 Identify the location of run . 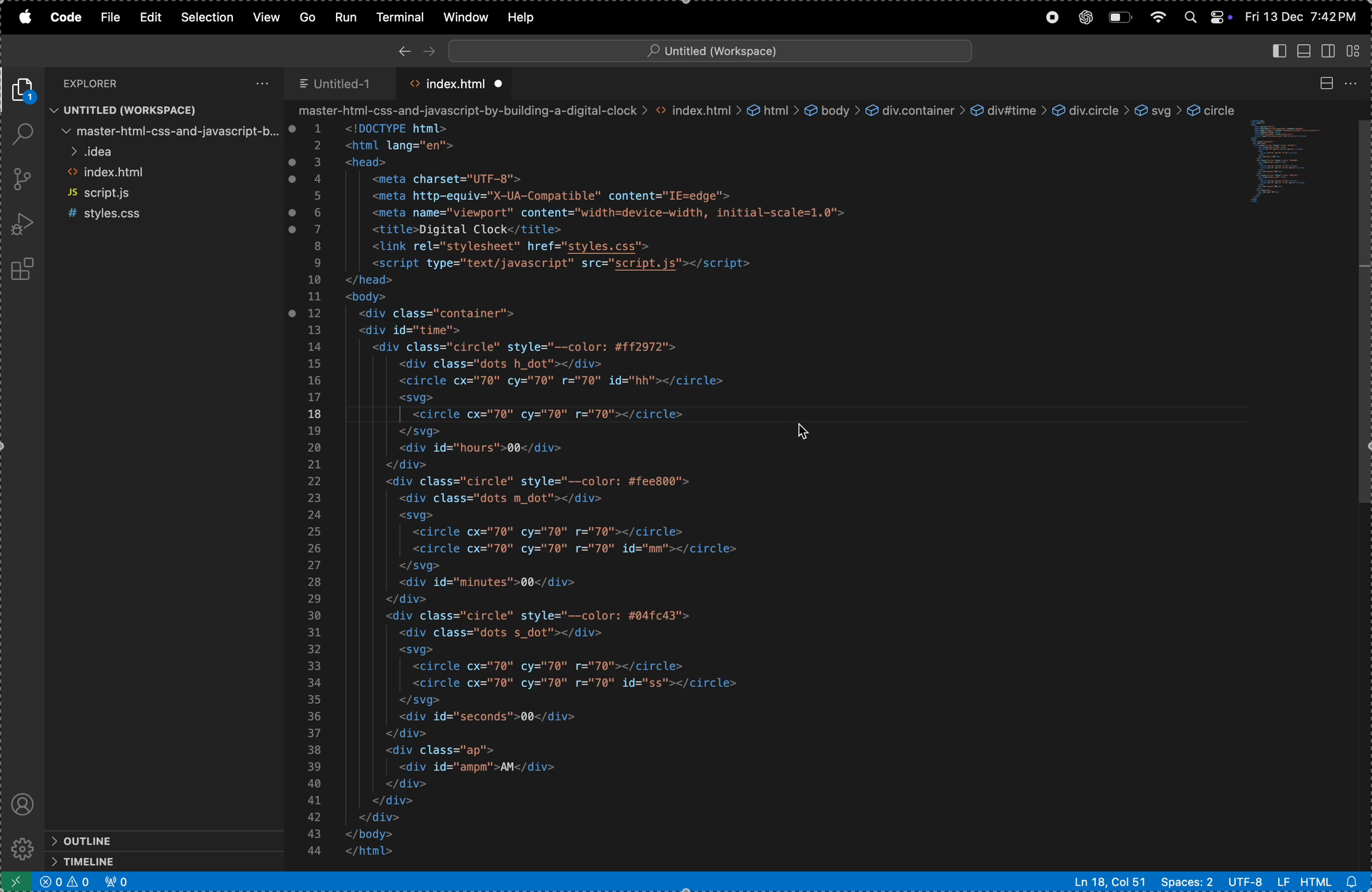
(345, 16).